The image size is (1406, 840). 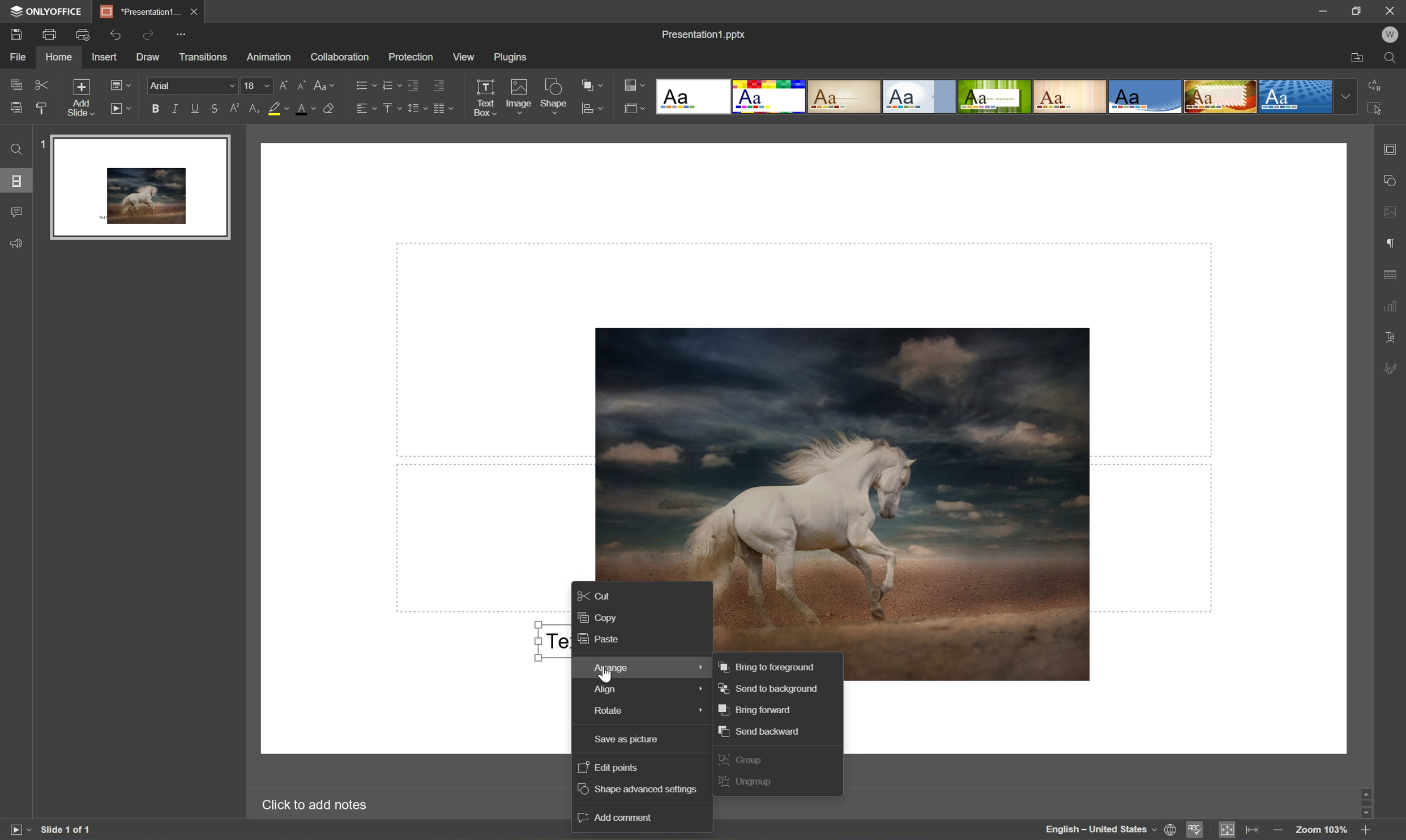 What do you see at coordinates (257, 86) in the screenshot?
I see `18` at bounding box center [257, 86].